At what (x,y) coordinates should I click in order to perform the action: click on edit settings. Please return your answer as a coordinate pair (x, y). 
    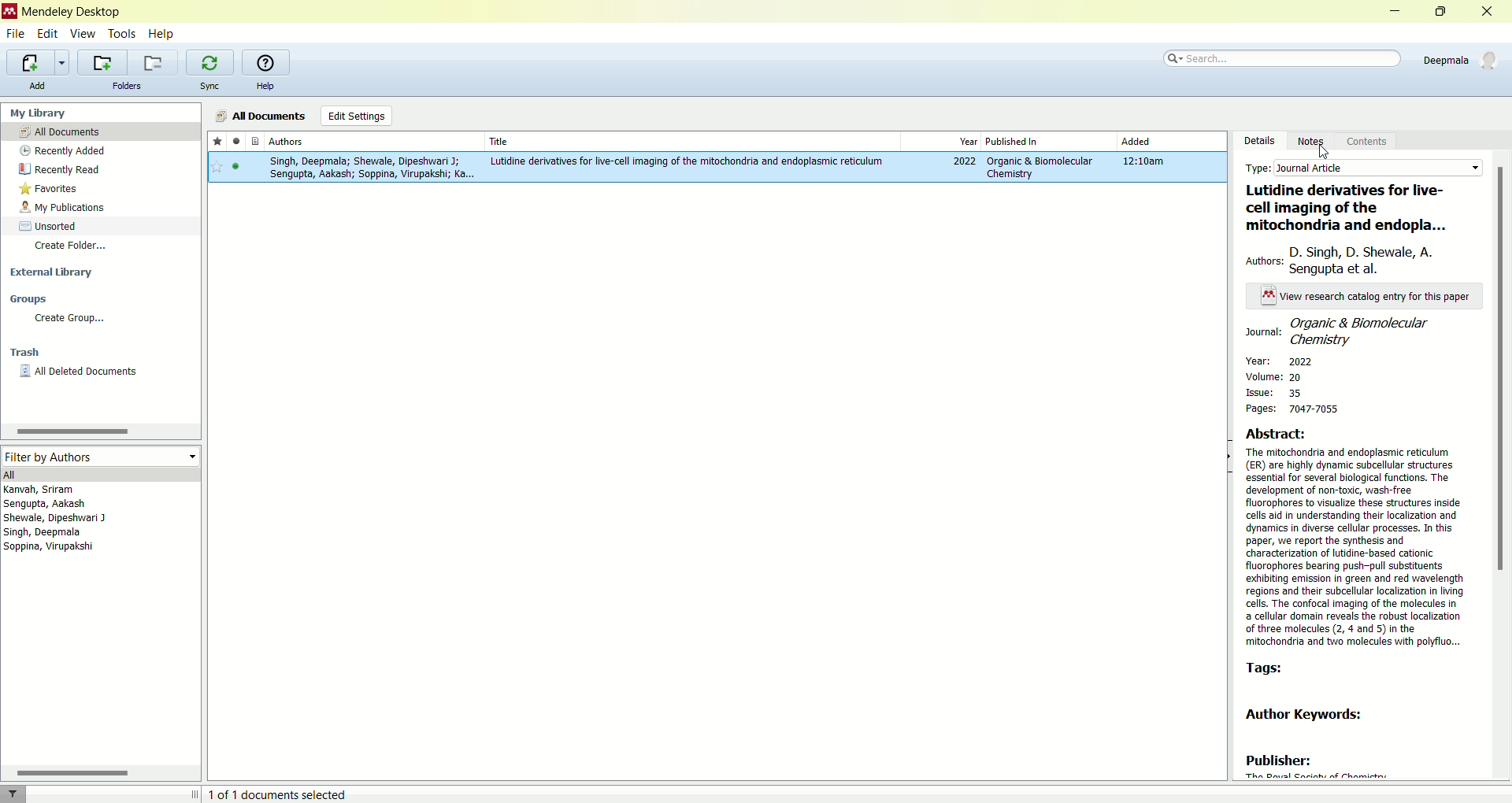
    Looking at the image, I should click on (355, 116).